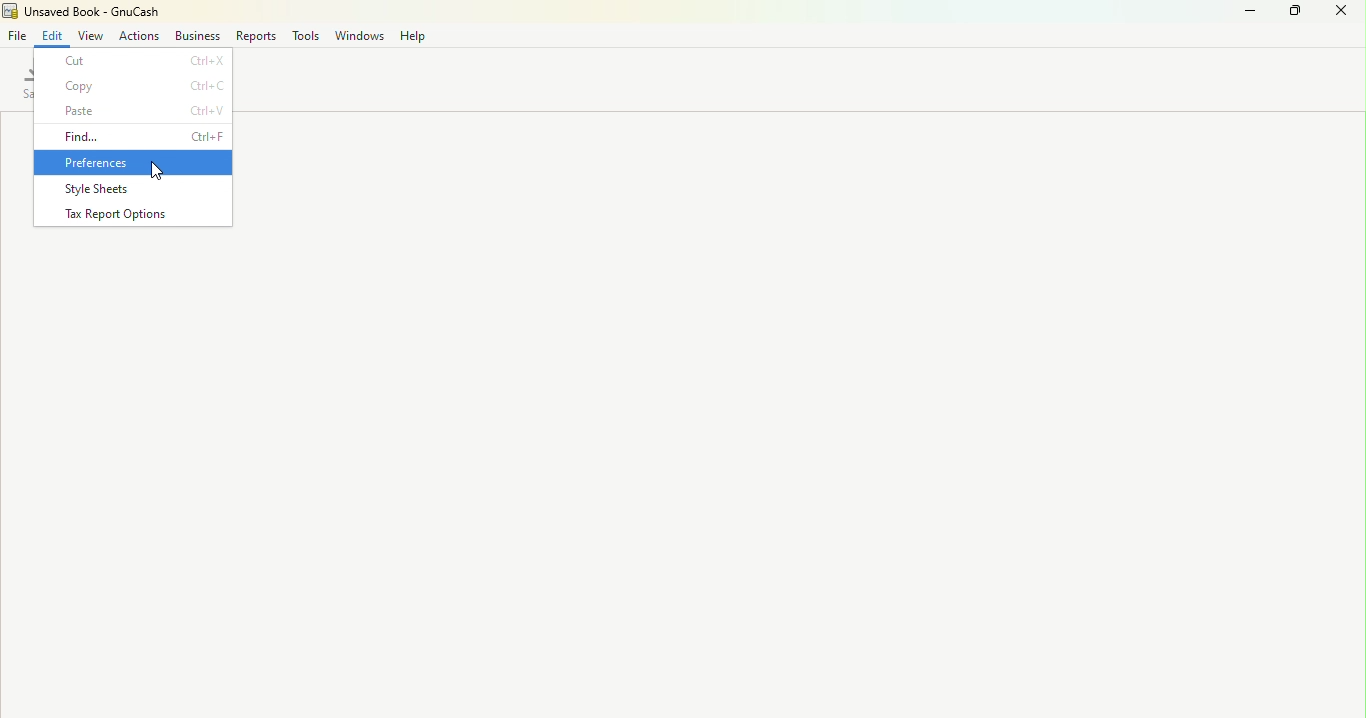 Image resolution: width=1366 pixels, height=718 pixels. I want to click on Paste, so click(138, 112).